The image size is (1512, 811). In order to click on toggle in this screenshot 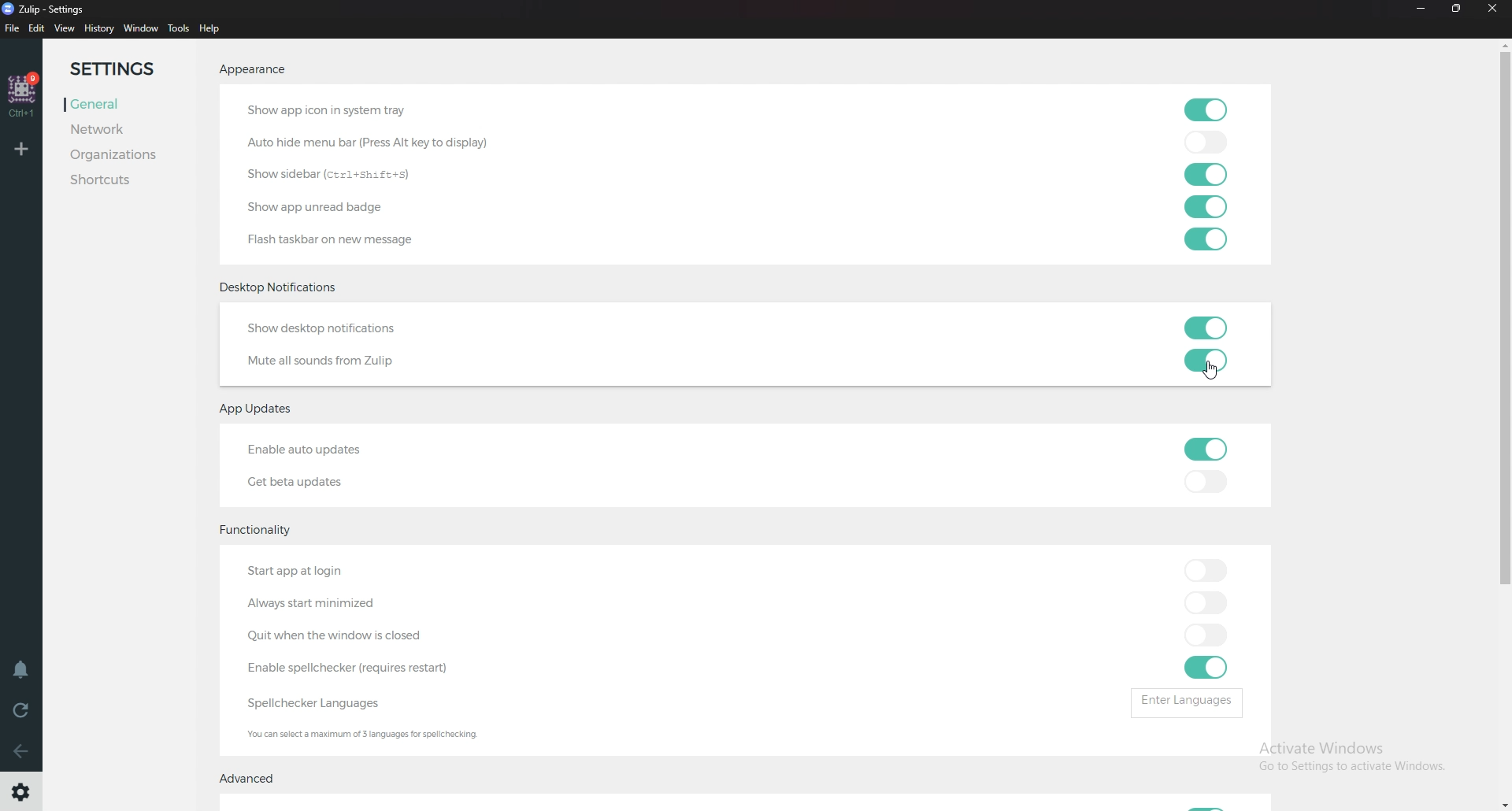, I will do `click(1205, 176)`.